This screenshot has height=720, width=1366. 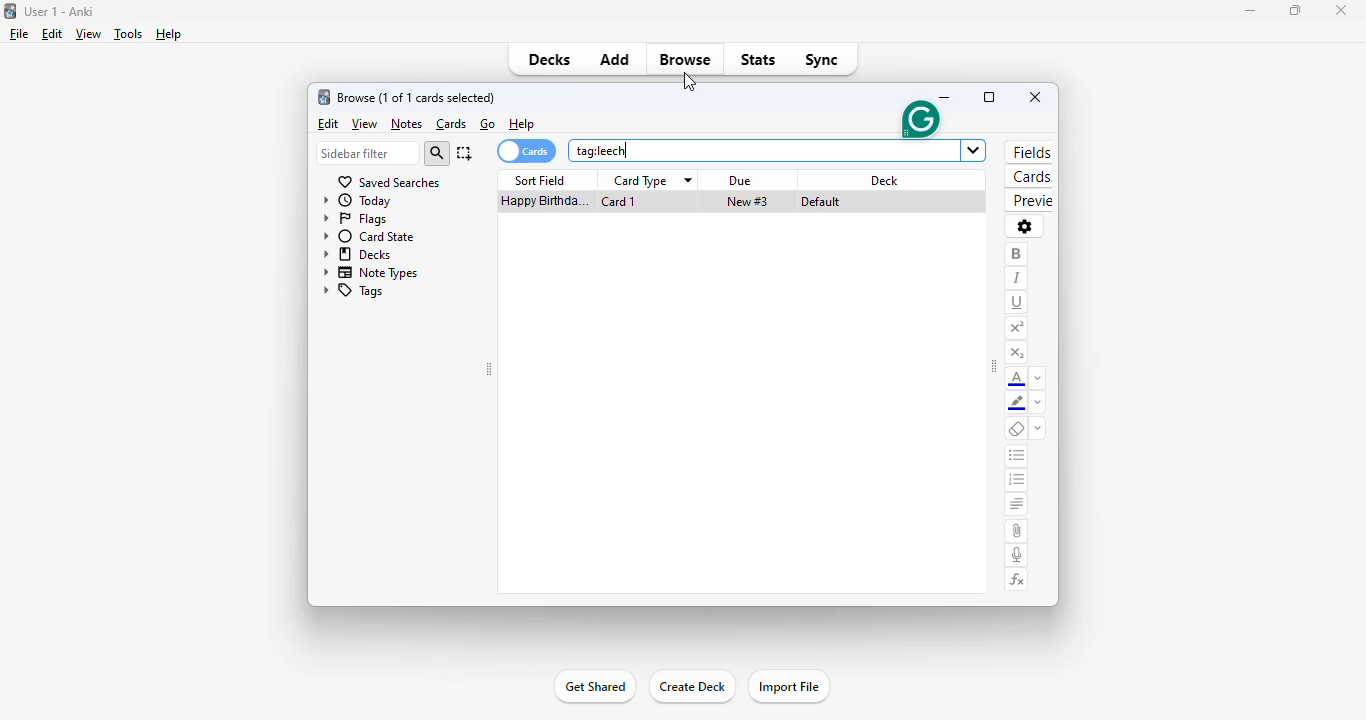 What do you see at coordinates (1018, 428) in the screenshot?
I see `remove formatting` at bounding box center [1018, 428].